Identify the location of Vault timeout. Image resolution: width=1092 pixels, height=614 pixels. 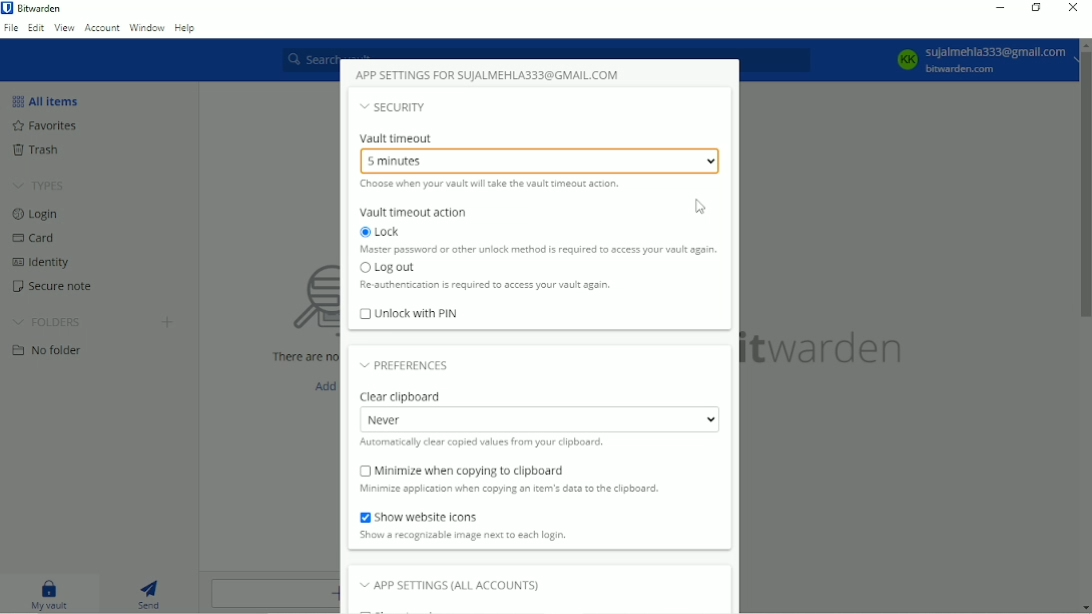
(399, 138).